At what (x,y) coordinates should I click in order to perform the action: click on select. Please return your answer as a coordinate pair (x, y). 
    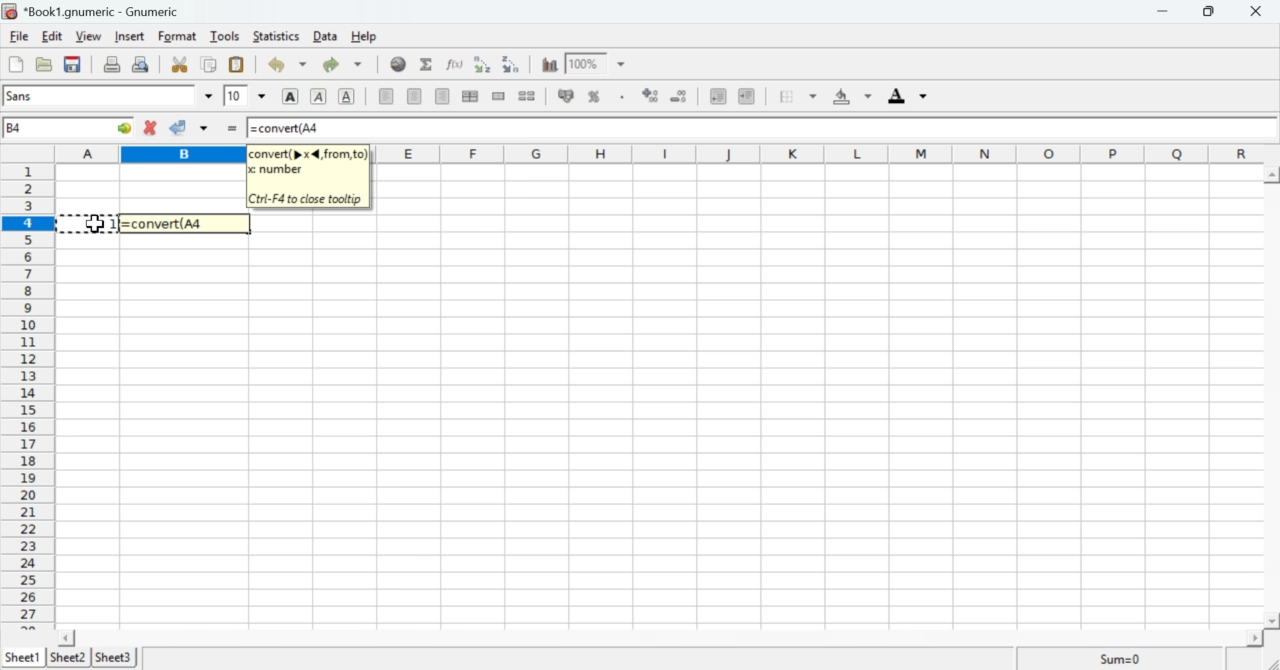
    Looking at the image, I should click on (85, 224).